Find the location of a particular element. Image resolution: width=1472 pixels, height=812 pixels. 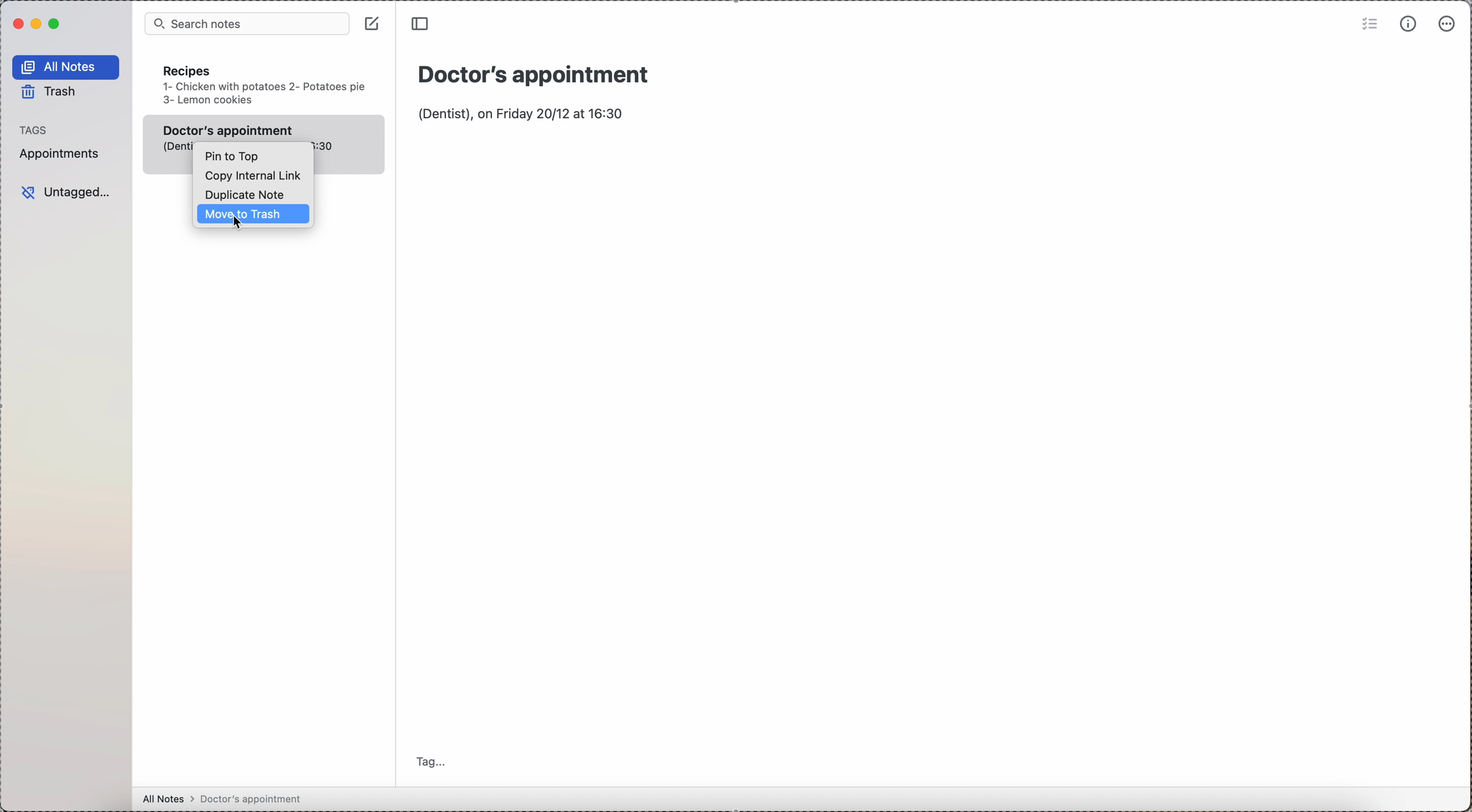

pin to top is located at coordinates (233, 157).